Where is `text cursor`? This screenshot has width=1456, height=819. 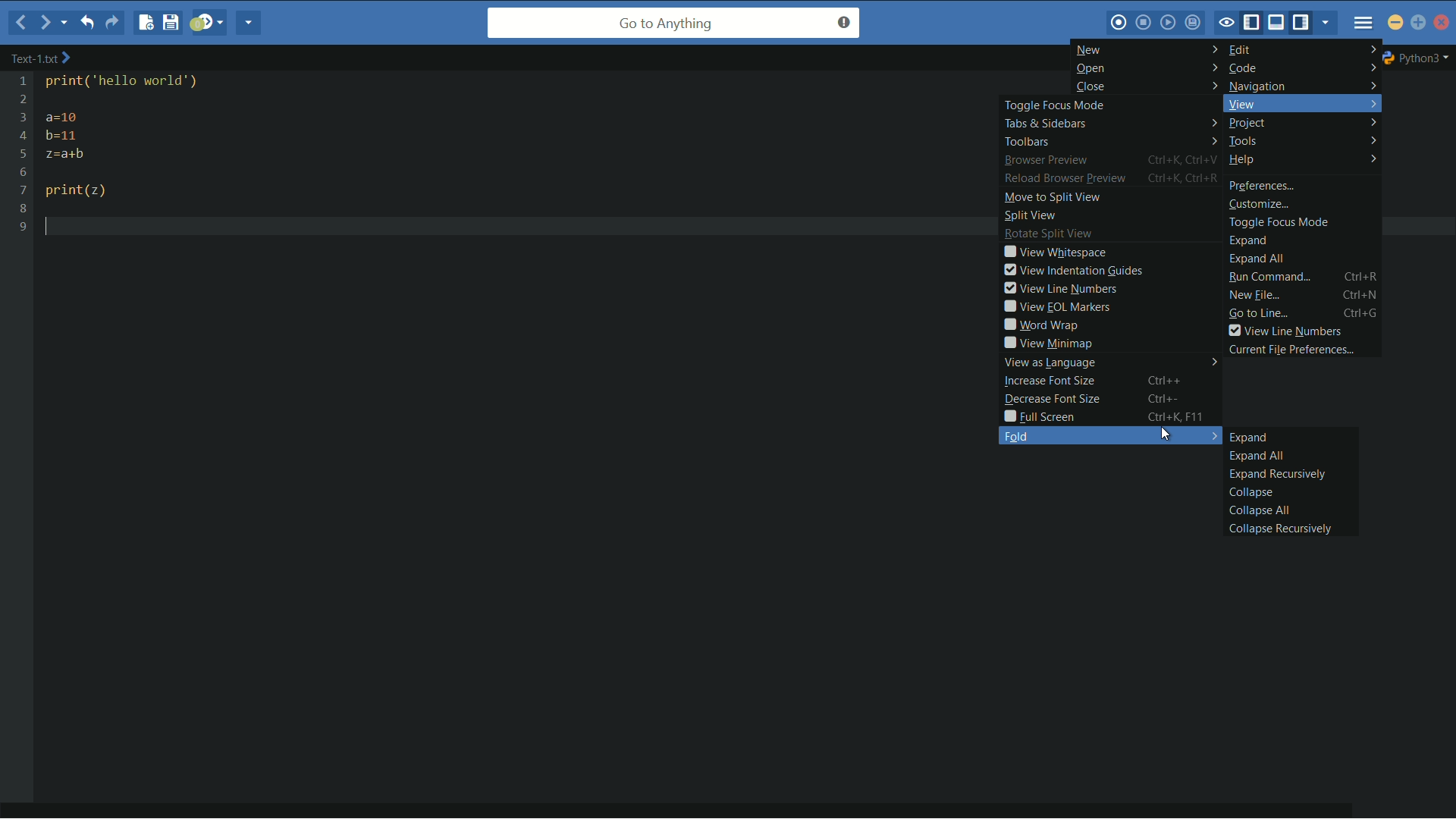
text cursor is located at coordinates (56, 226).